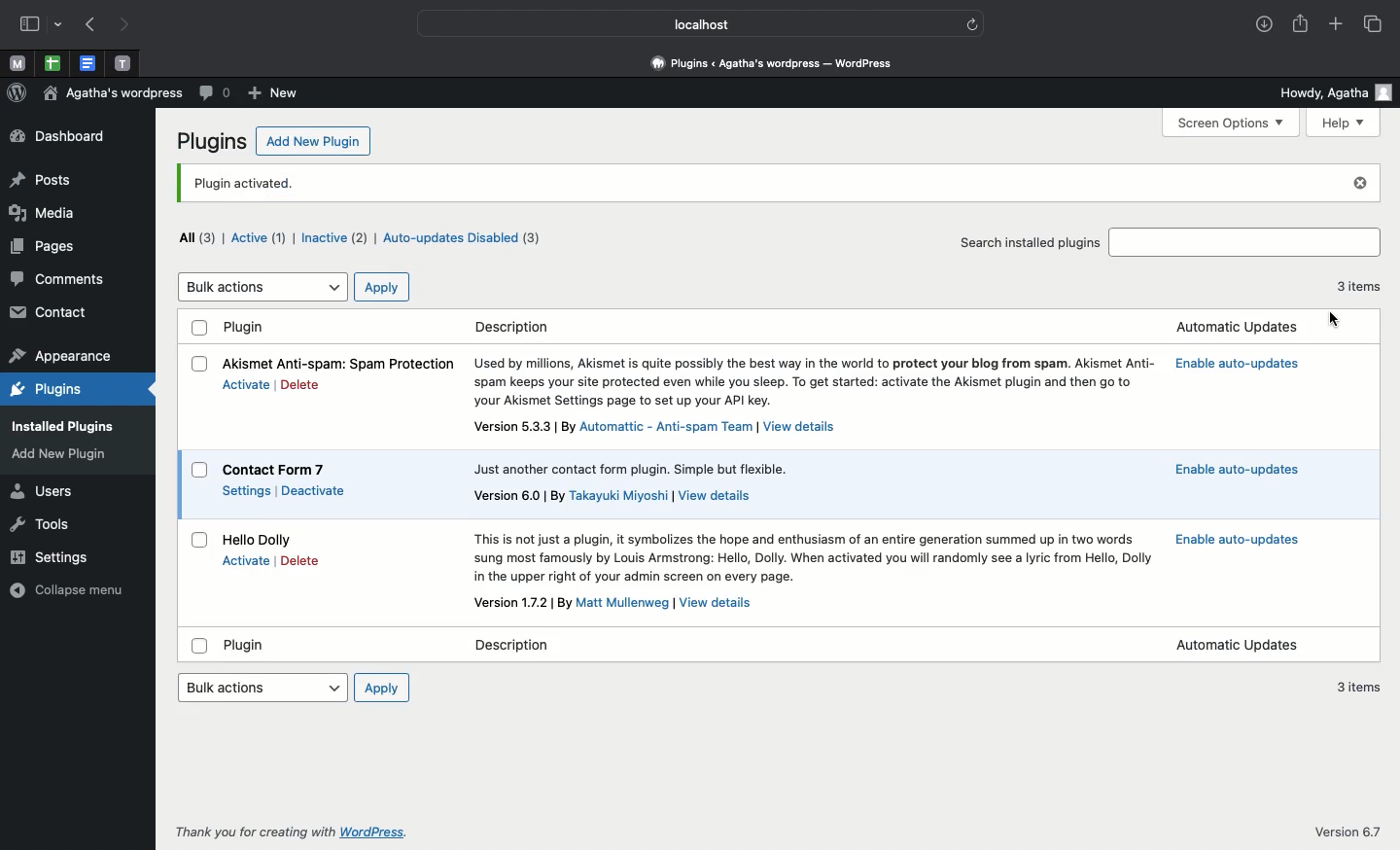 The image size is (1400, 850). Describe the element at coordinates (68, 454) in the screenshot. I see `add new plugin` at that location.